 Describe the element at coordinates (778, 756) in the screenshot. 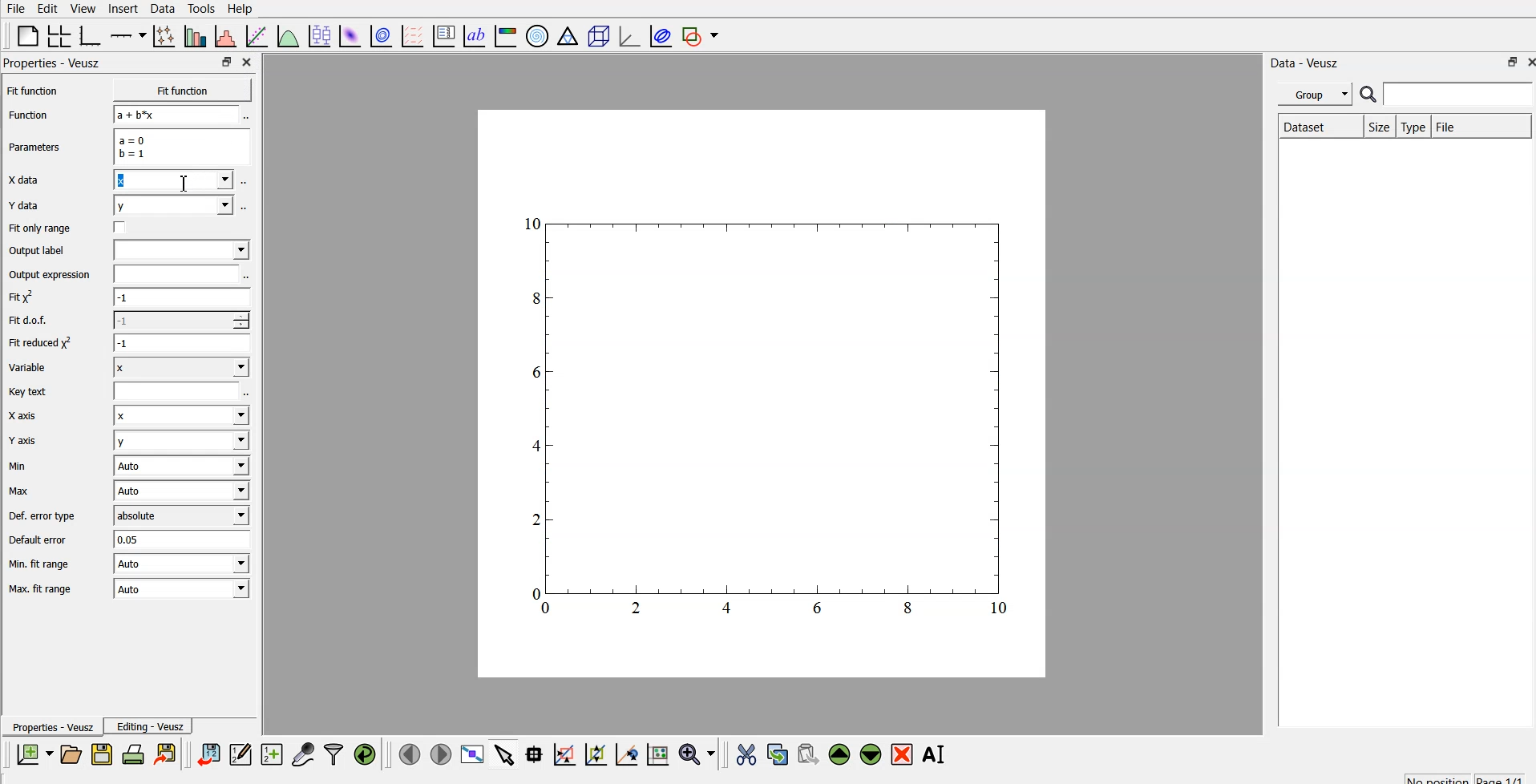

I see `copy the selected widget` at that location.